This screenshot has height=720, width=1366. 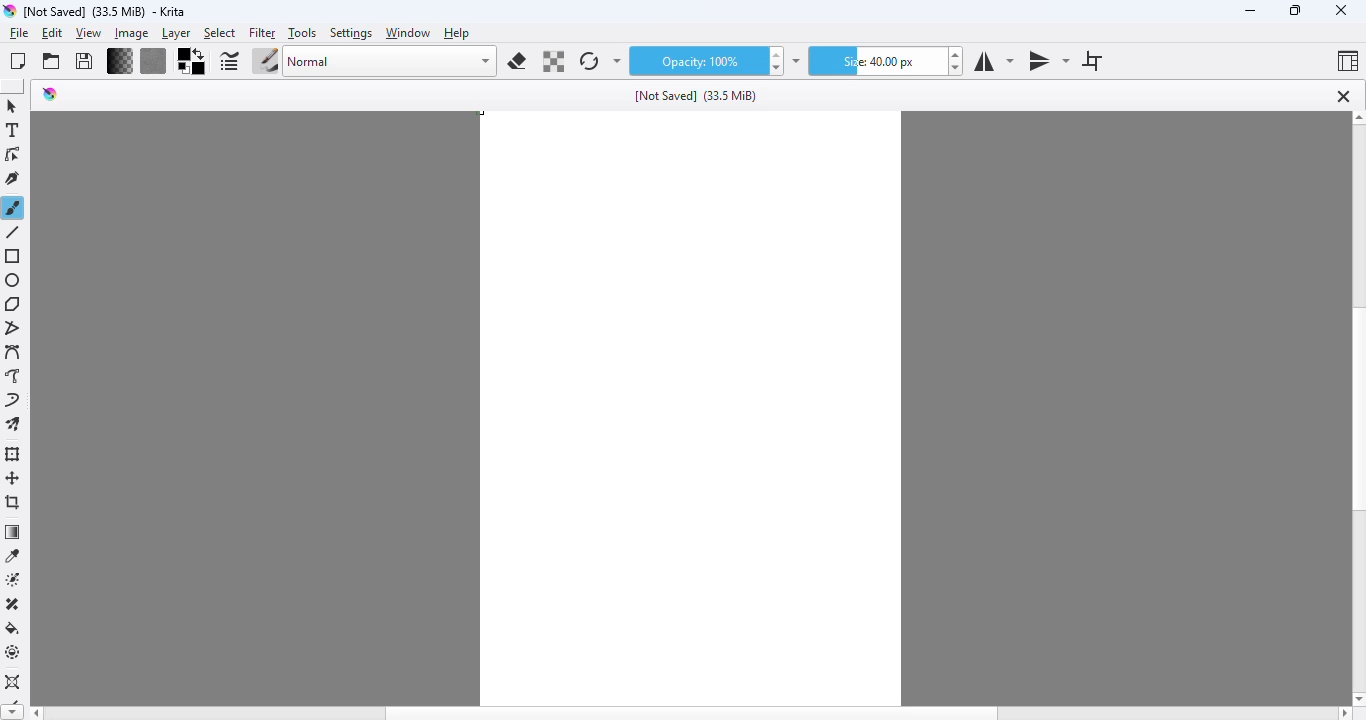 What do you see at coordinates (14, 502) in the screenshot?
I see `crop an image to an area` at bounding box center [14, 502].